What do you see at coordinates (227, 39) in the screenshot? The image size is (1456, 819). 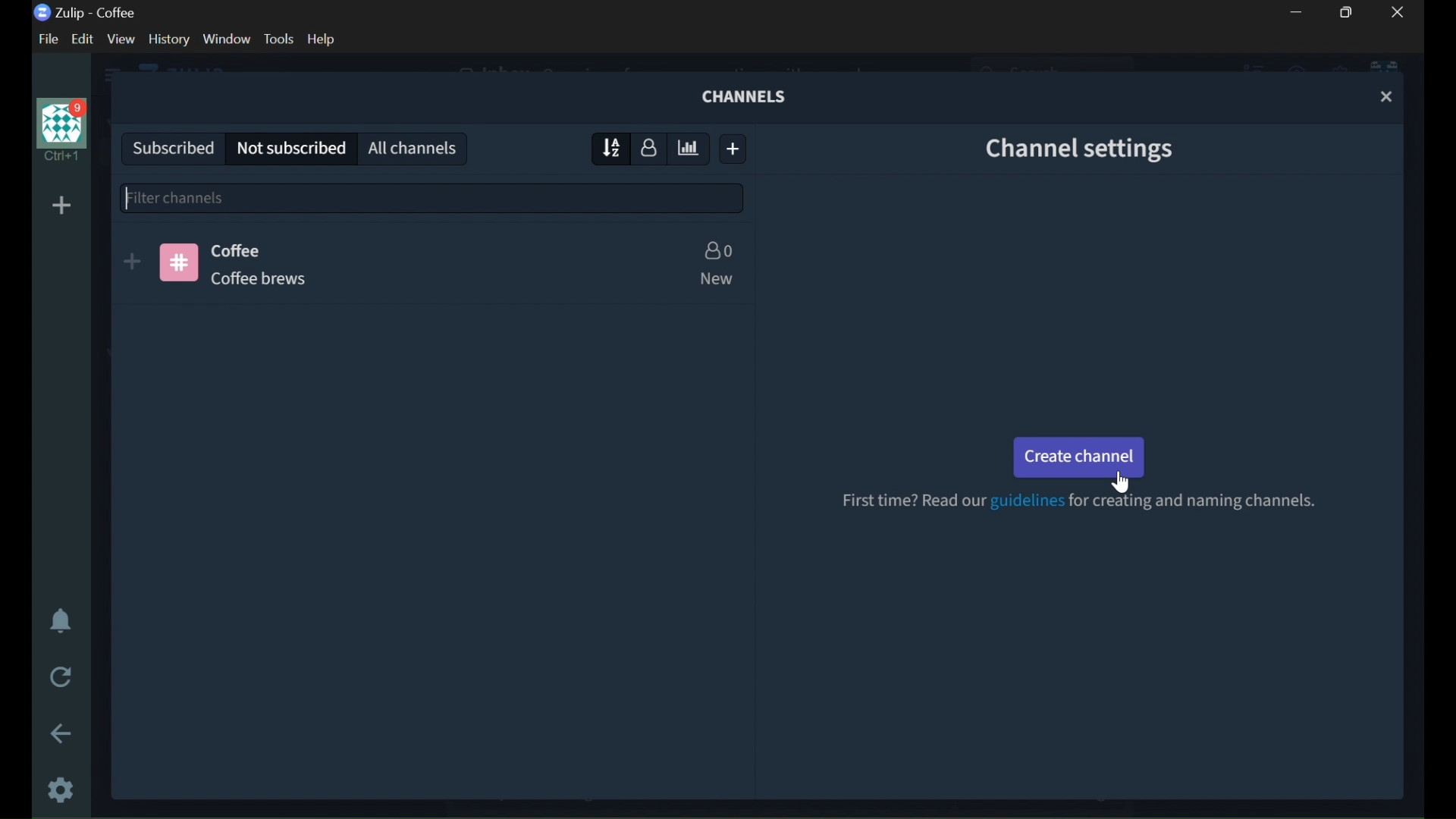 I see `WINDOW` at bounding box center [227, 39].